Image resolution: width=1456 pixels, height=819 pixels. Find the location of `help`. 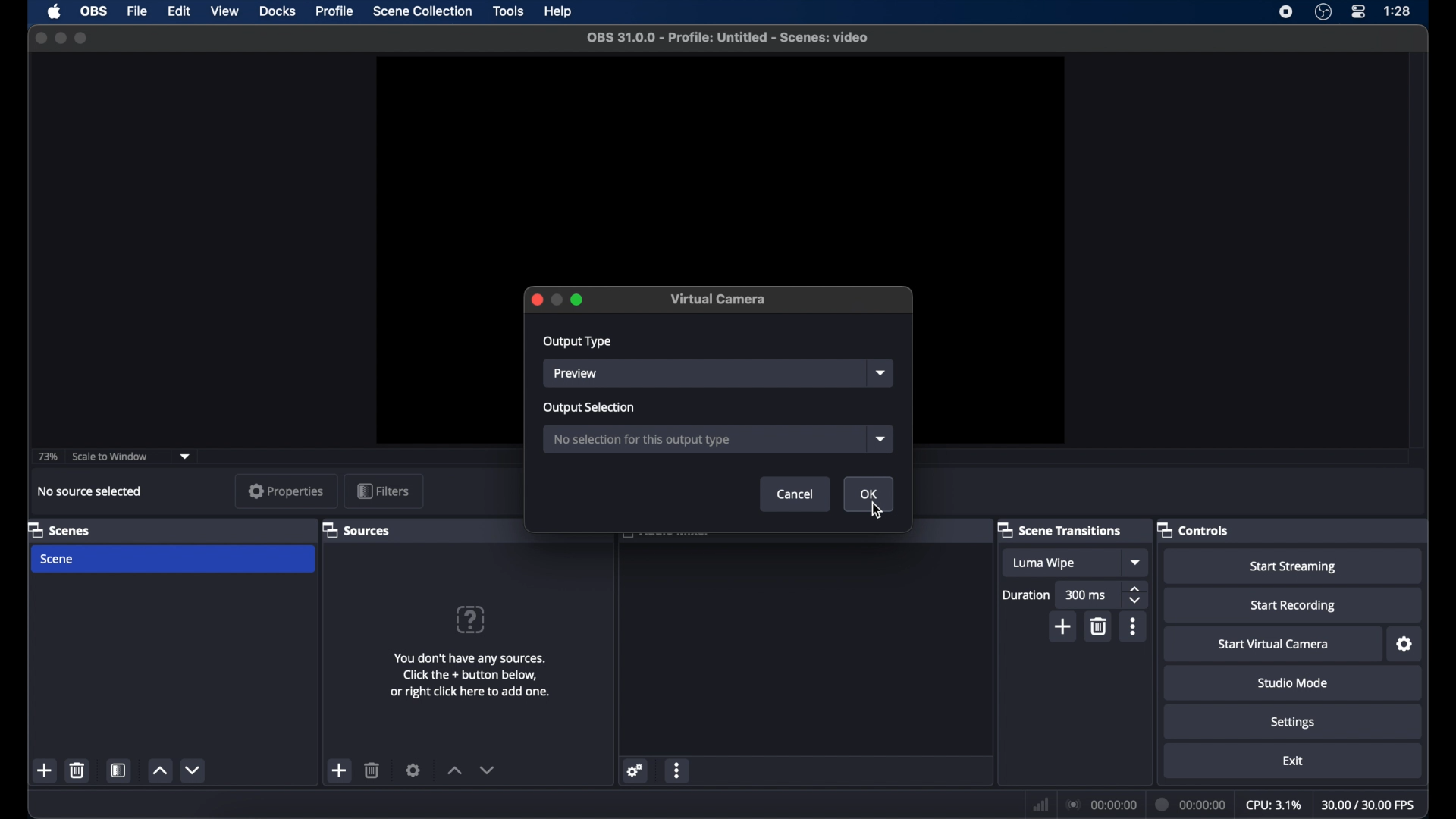

help is located at coordinates (560, 12).